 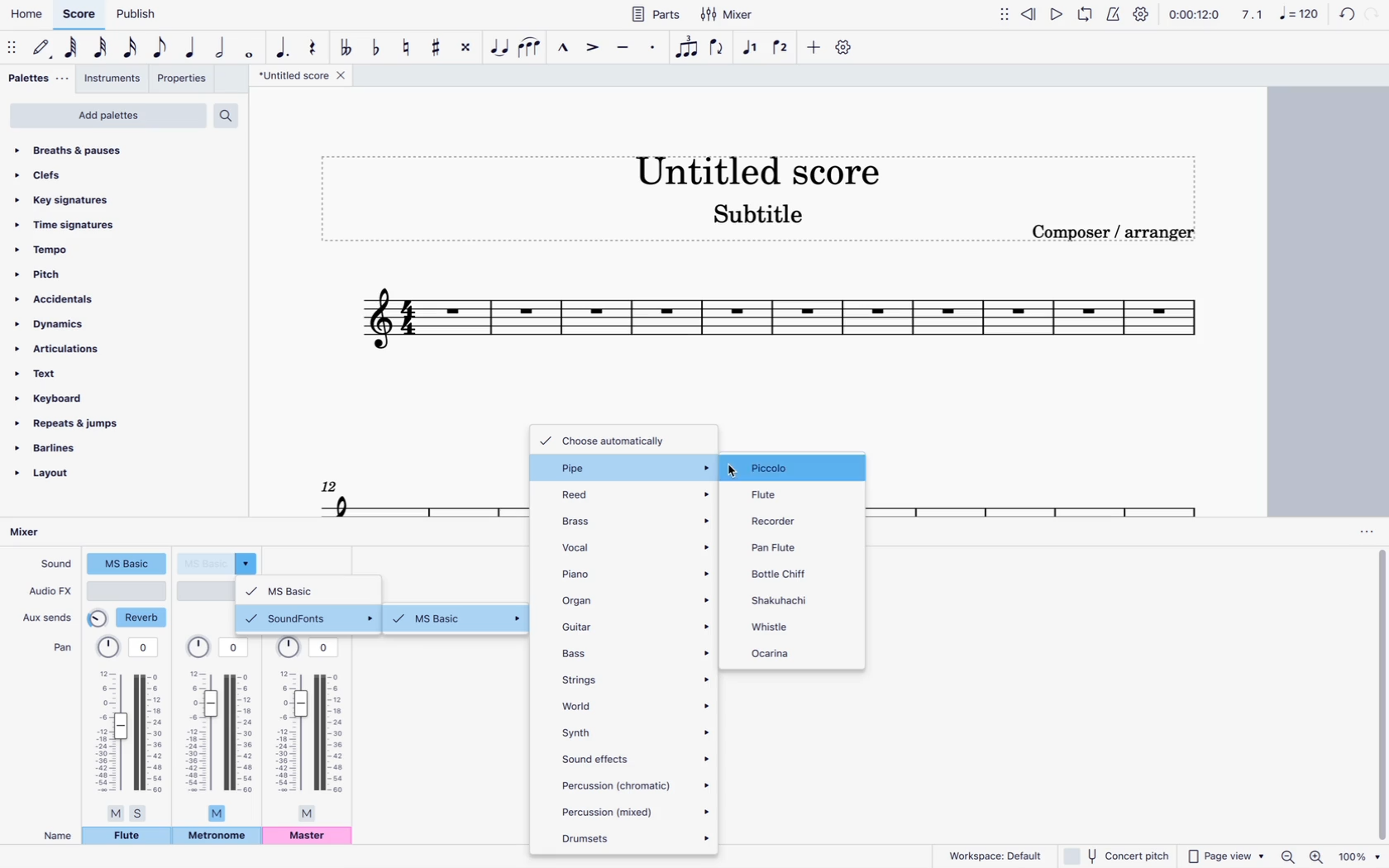 I want to click on zoom in, so click(x=1316, y=856).